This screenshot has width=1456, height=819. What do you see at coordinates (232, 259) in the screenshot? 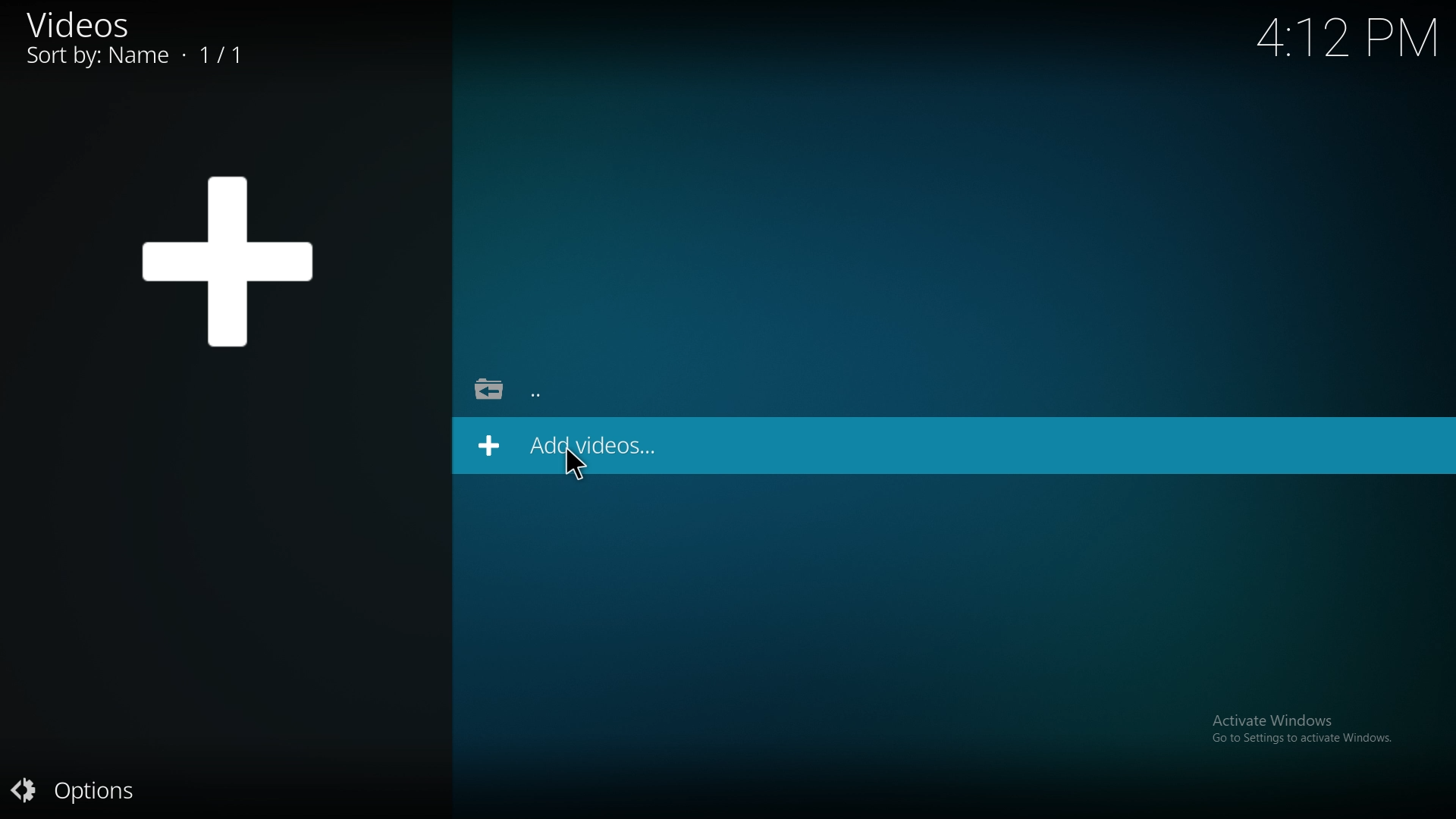
I see `add` at bounding box center [232, 259].